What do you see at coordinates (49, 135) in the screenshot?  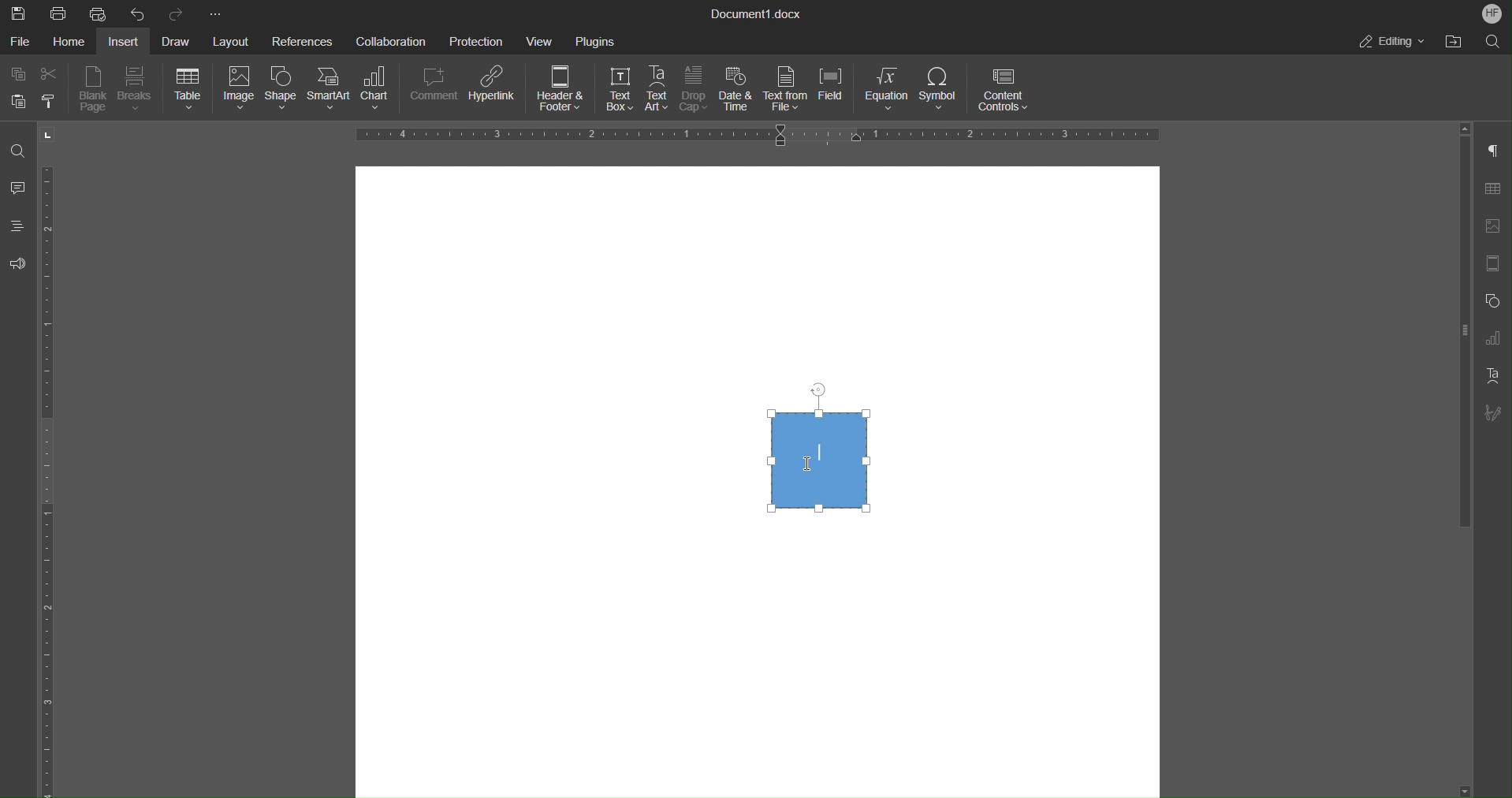 I see `Tab stop` at bounding box center [49, 135].